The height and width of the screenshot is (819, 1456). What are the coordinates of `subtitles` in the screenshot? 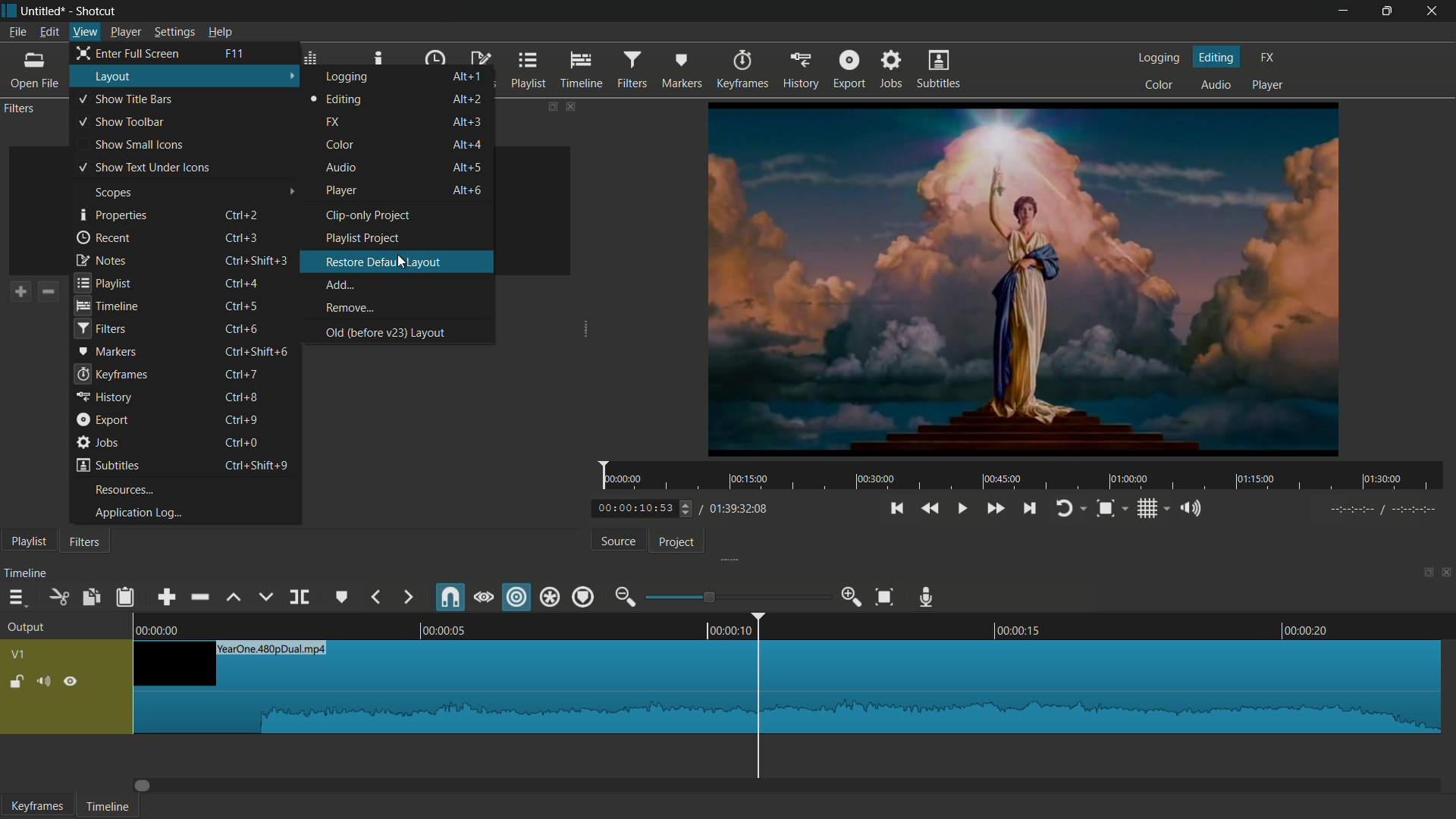 It's located at (939, 71).